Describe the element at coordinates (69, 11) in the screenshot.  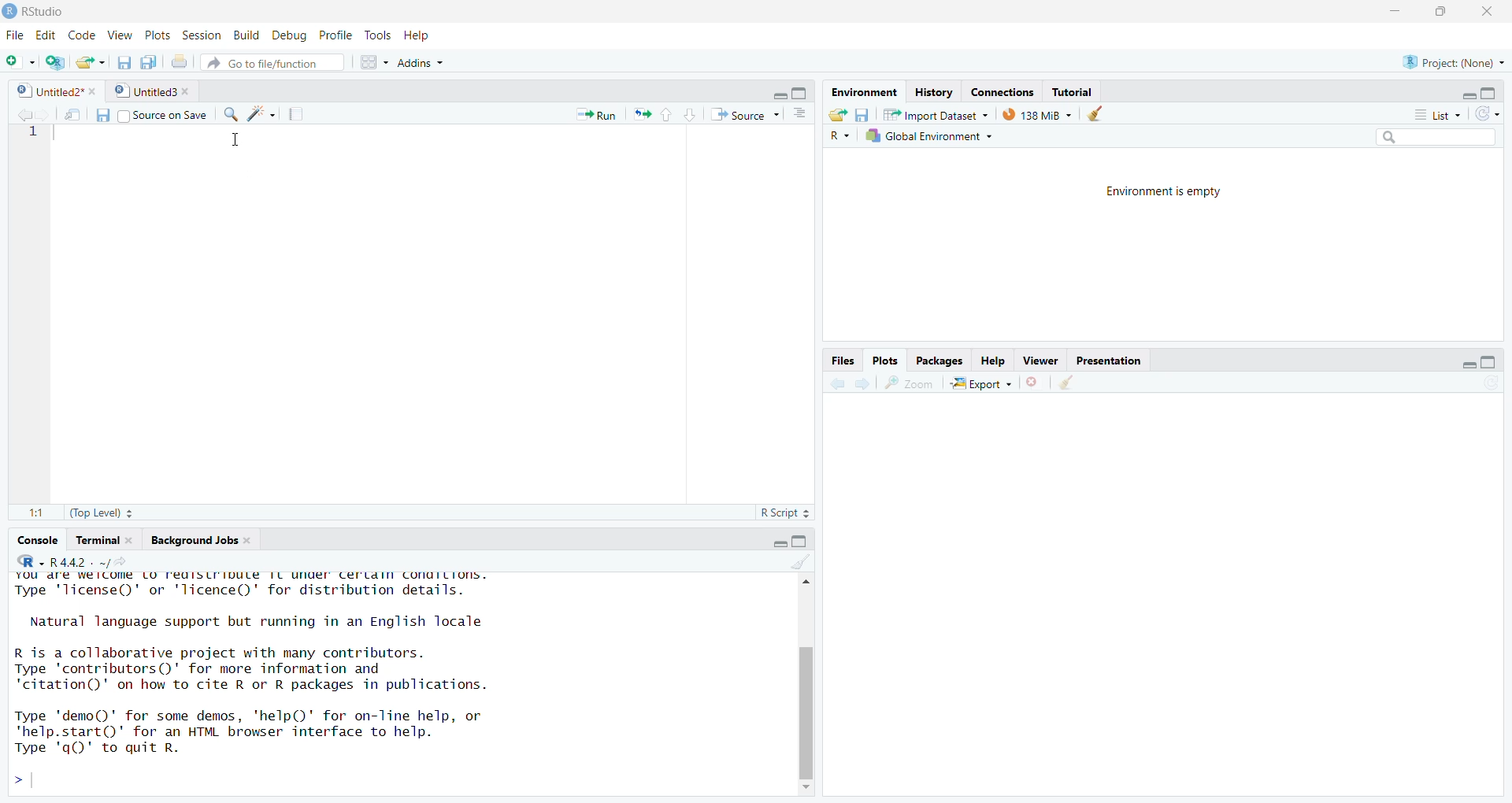
I see `D Rstudio` at that location.